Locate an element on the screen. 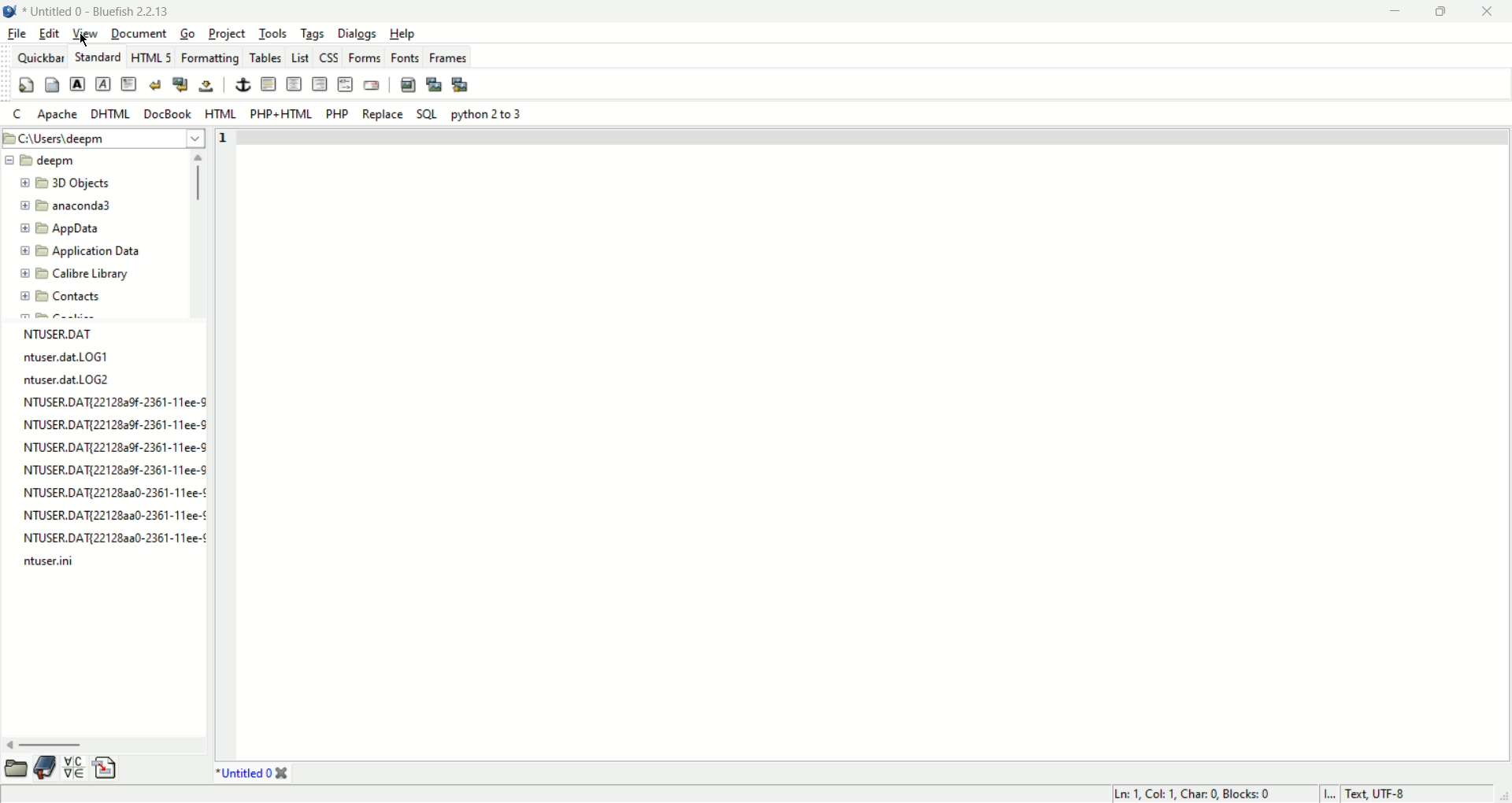 The width and height of the screenshot is (1512, 803). line number is located at coordinates (225, 139).